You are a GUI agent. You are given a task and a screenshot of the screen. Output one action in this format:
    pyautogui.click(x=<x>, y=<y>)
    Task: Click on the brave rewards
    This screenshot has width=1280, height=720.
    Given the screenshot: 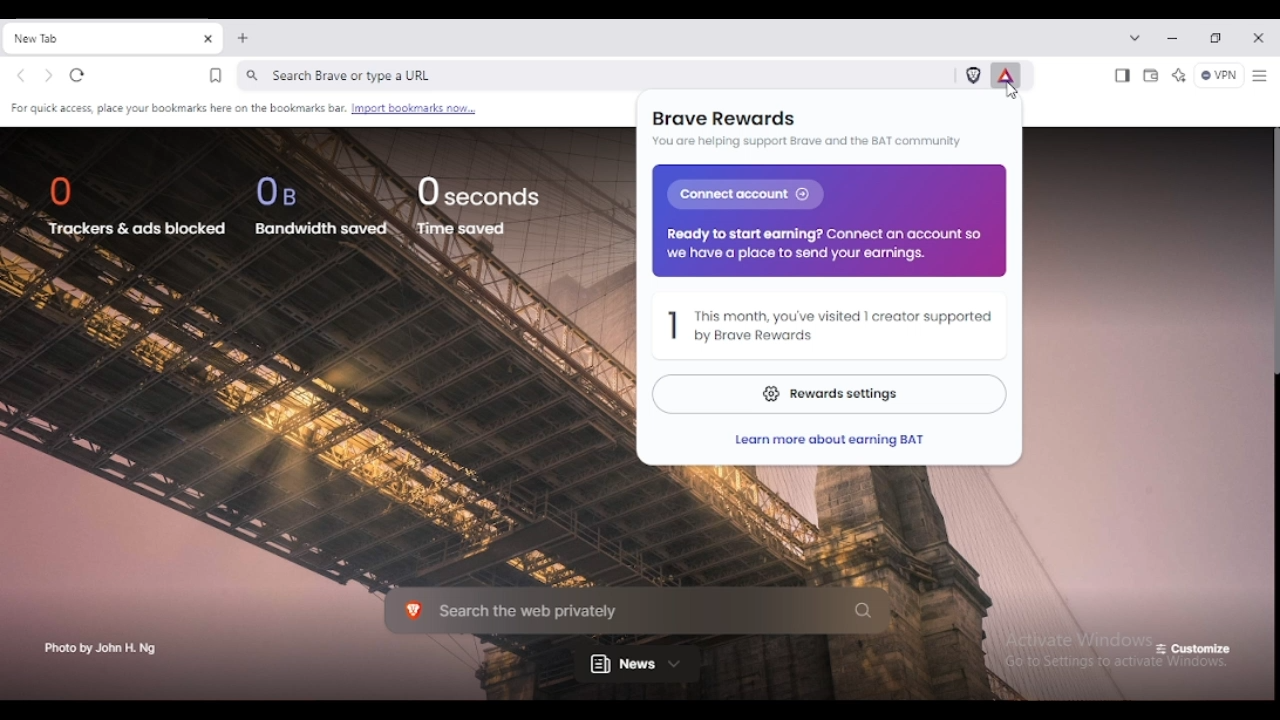 What is the action you would take?
    pyautogui.click(x=725, y=116)
    